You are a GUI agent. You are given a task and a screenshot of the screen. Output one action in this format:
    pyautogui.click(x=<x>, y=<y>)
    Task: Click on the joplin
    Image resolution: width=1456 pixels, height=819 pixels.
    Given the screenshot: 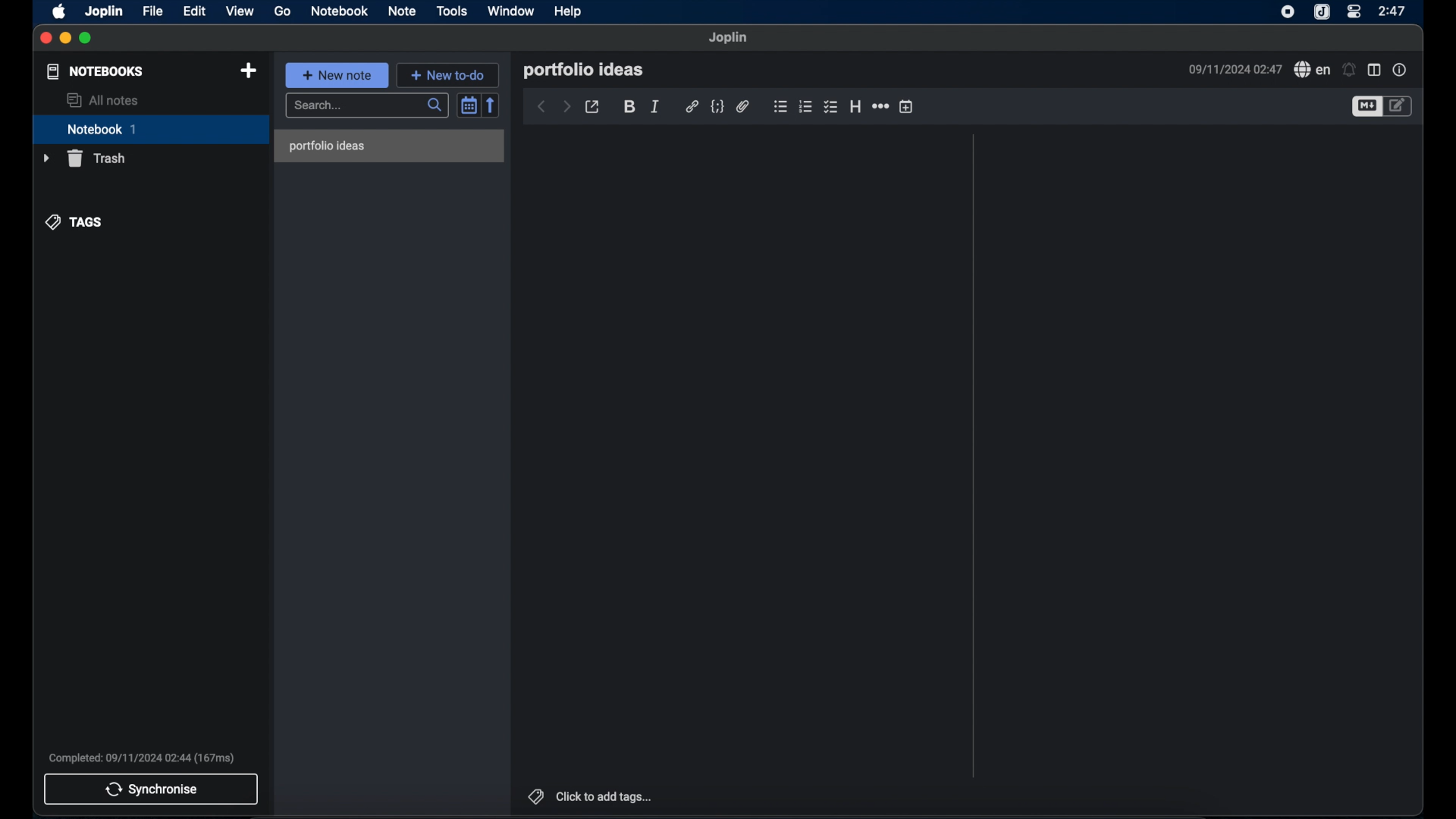 What is the action you would take?
    pyautogui.click(x=729, y=37)
    